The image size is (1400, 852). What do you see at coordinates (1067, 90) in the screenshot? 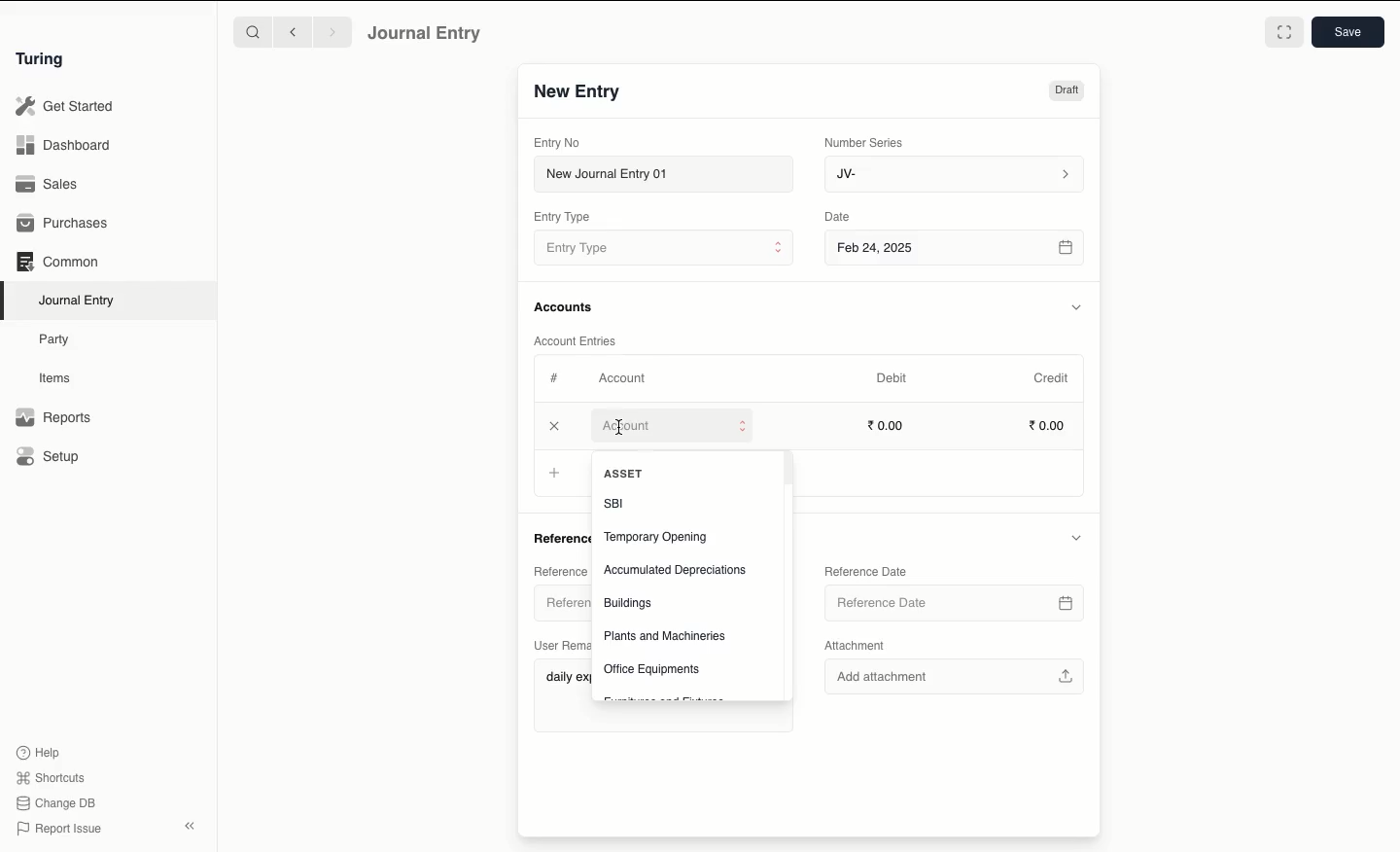
I see `Draft` at bounding box center [1067, 90].